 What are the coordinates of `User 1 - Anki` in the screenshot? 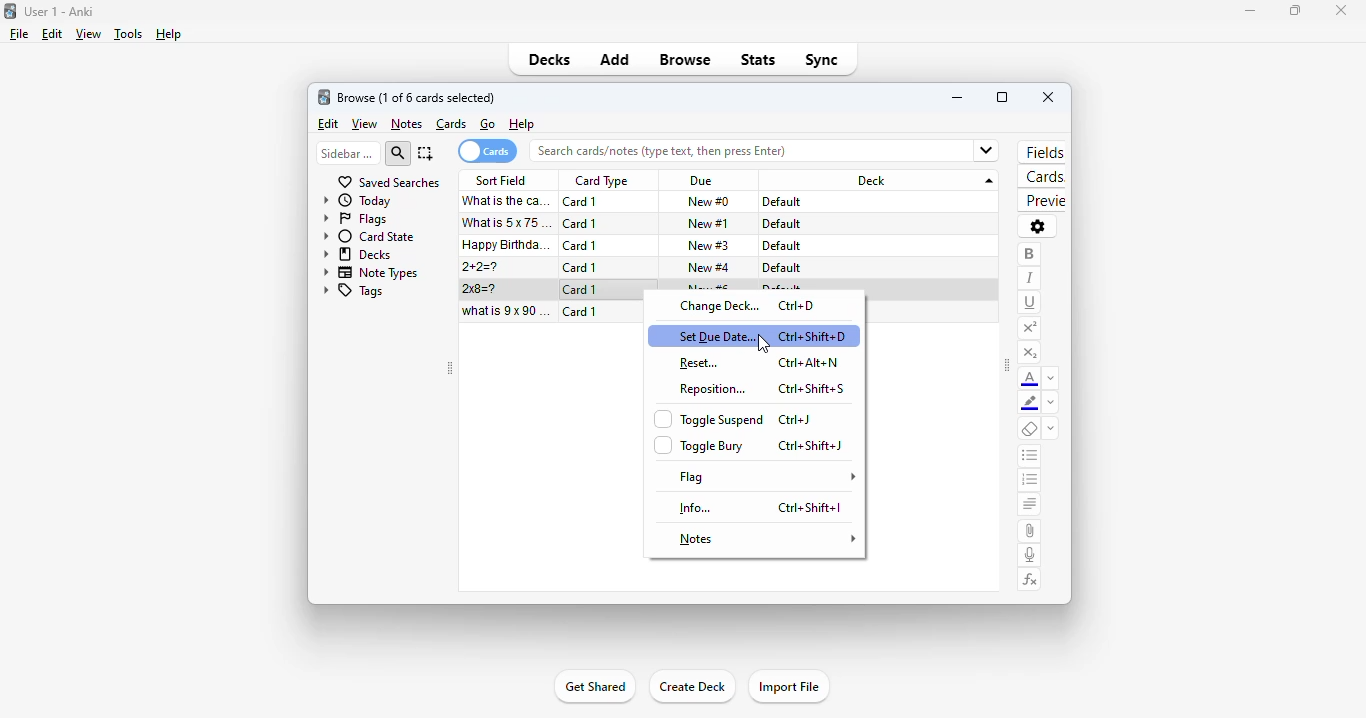 It's located at (59, 11).